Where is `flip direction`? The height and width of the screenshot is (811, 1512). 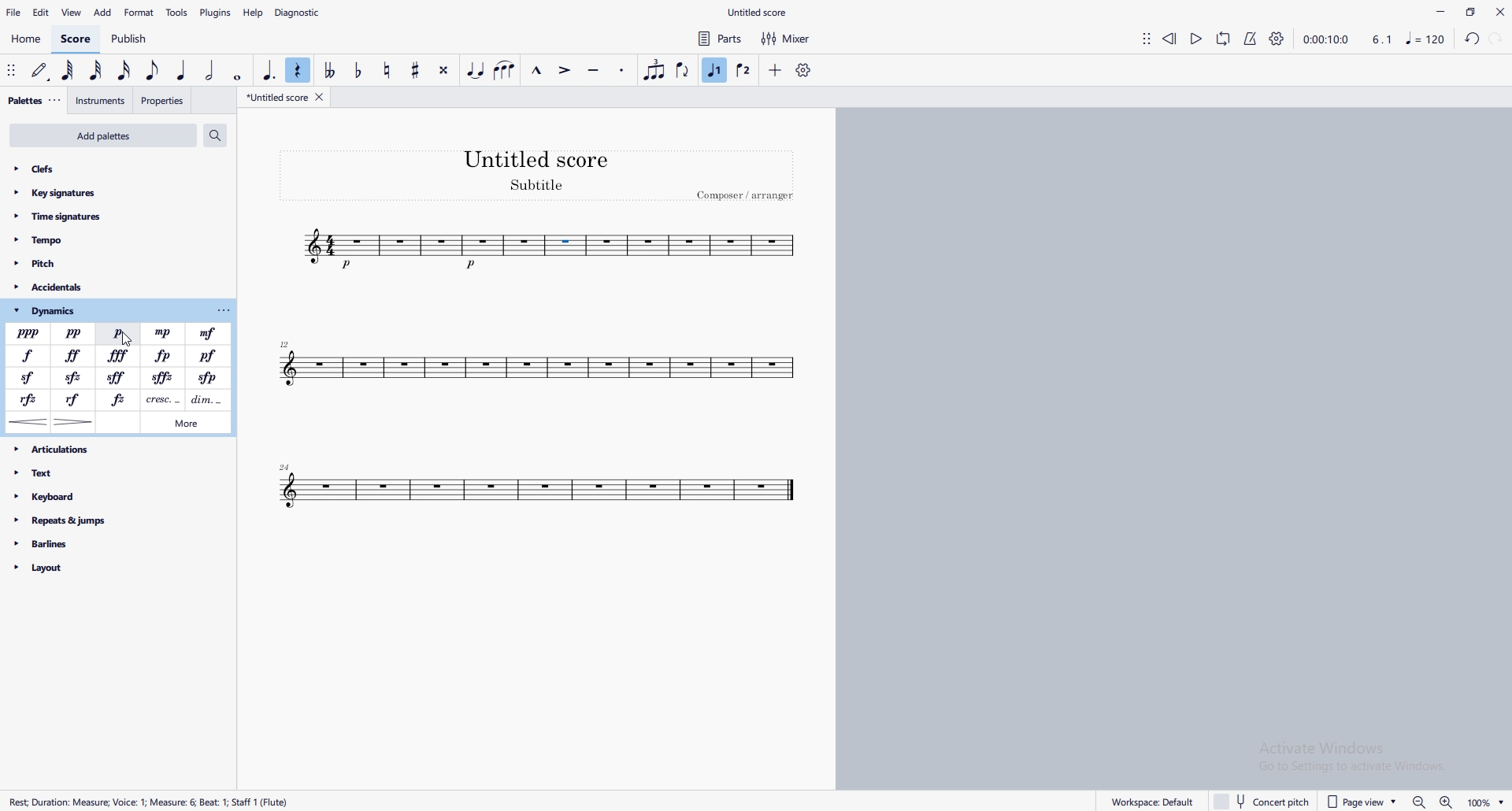 flip direction is located at coordinates (682, 71).